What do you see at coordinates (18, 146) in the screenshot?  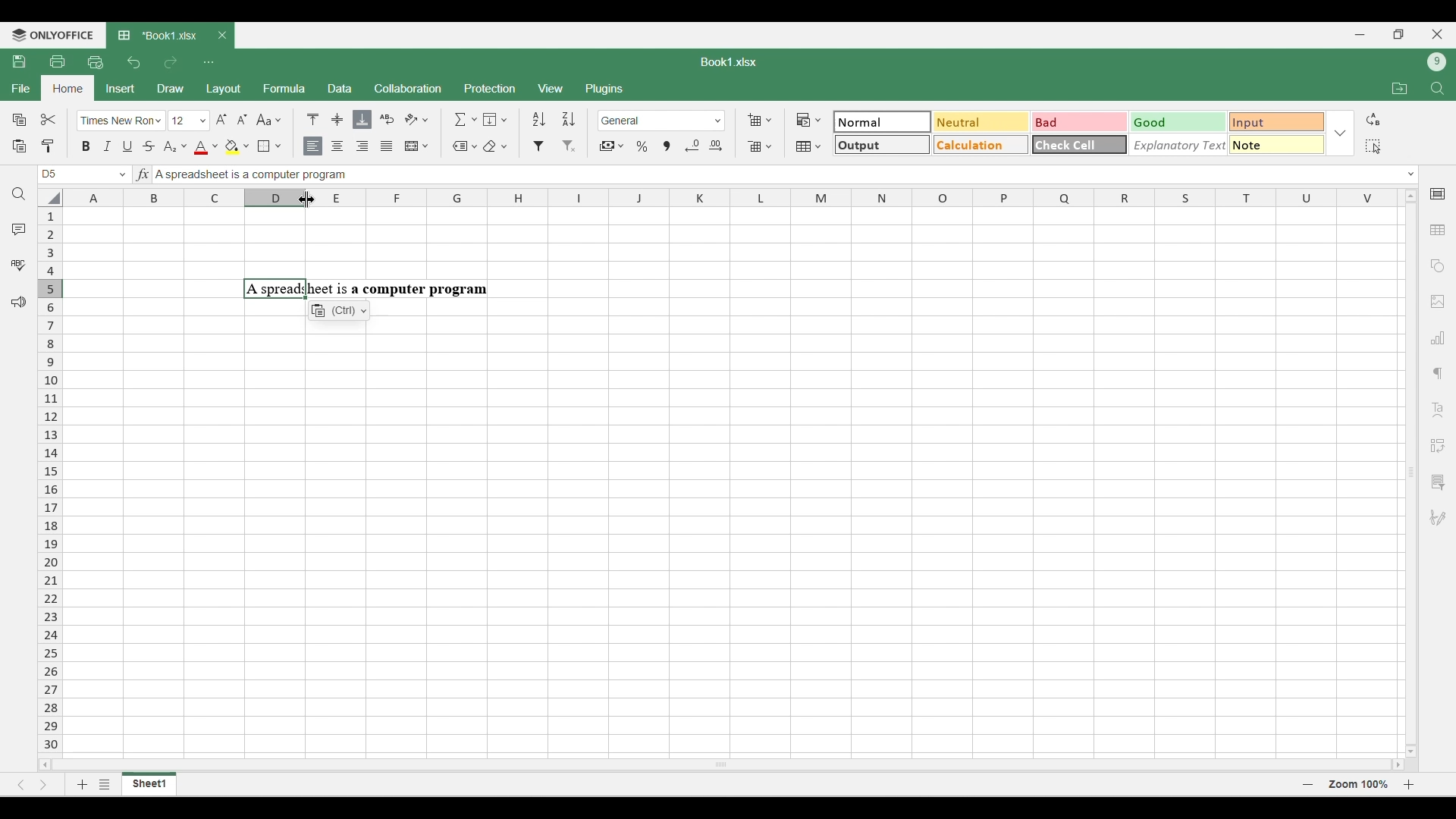 I see `Paste` at bounding box center [18, 146].